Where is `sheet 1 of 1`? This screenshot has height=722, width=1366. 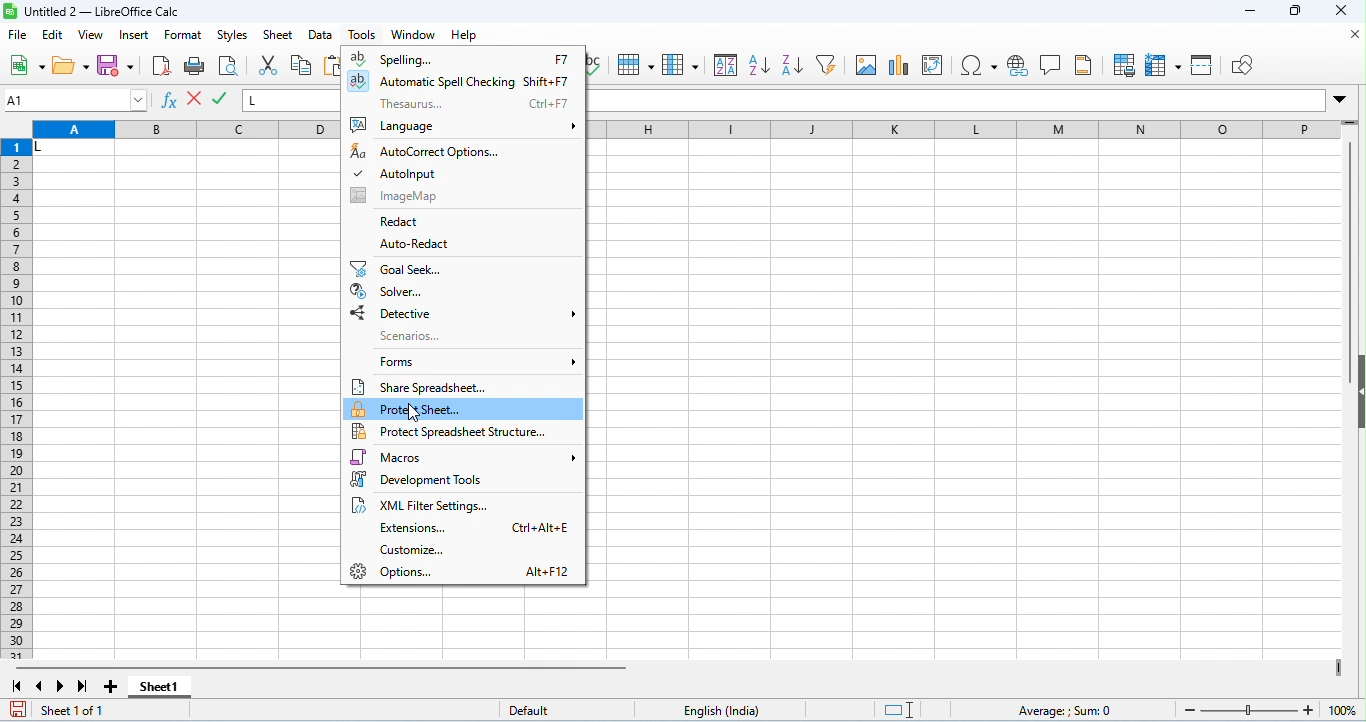
sheet 1 of 1 is located at coordinates (78, 711).